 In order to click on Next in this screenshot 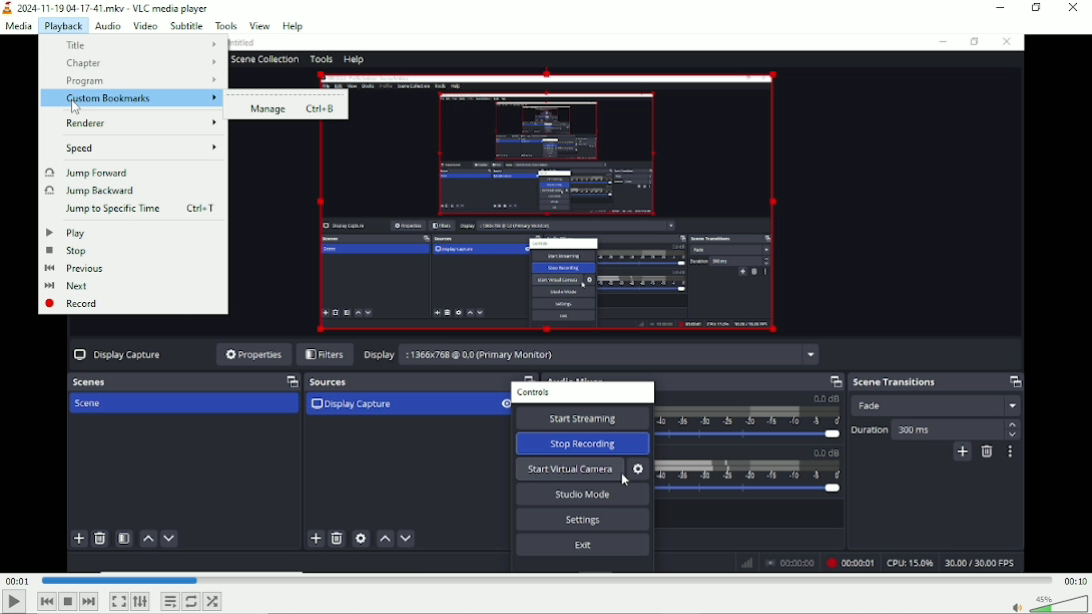, I will do `click(88, 601)`.